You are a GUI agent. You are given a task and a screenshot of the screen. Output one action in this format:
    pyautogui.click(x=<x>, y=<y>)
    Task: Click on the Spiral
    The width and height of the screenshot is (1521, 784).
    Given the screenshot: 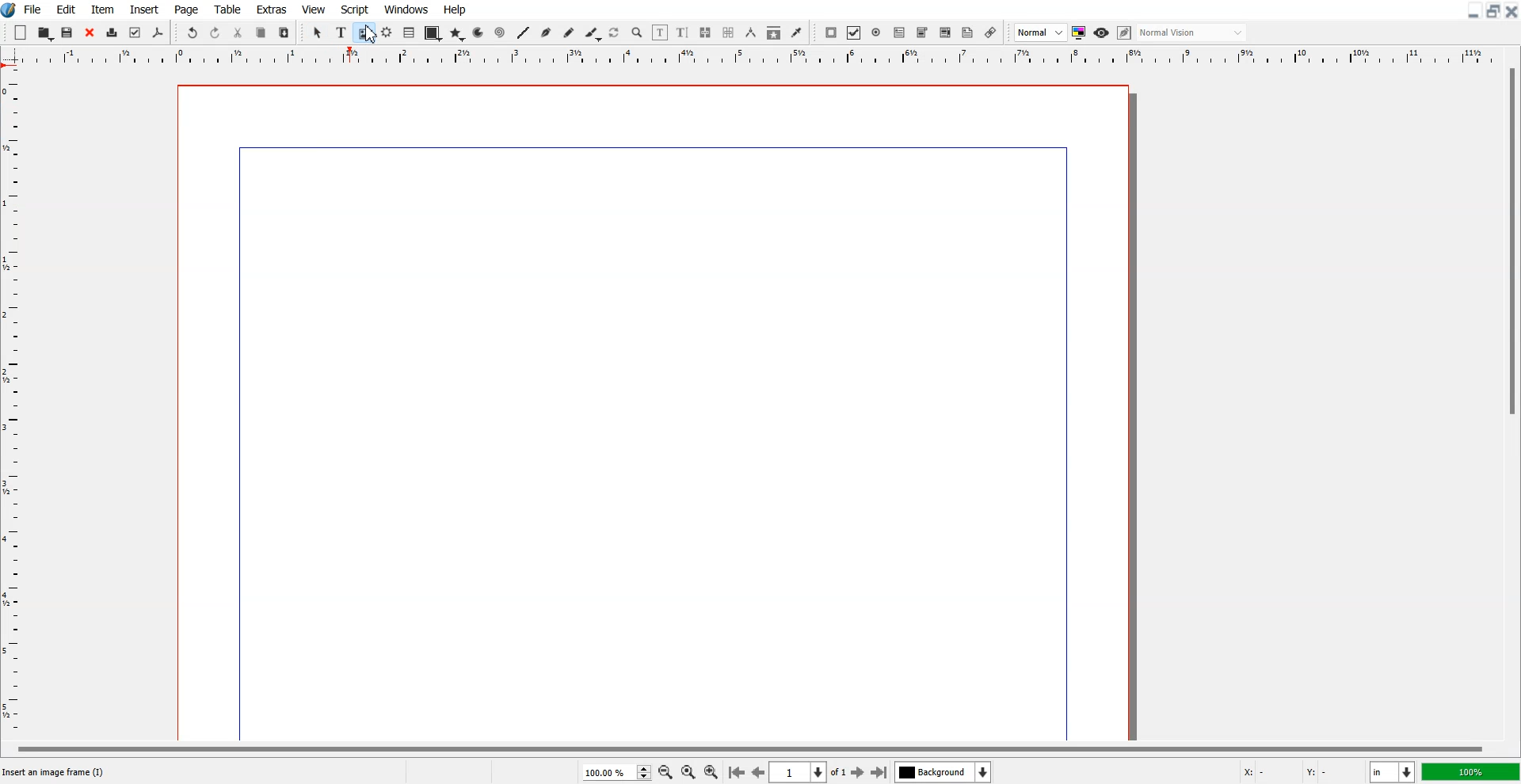 What is the action you would take?
    pyautogui.click(x=499, y=32)
    